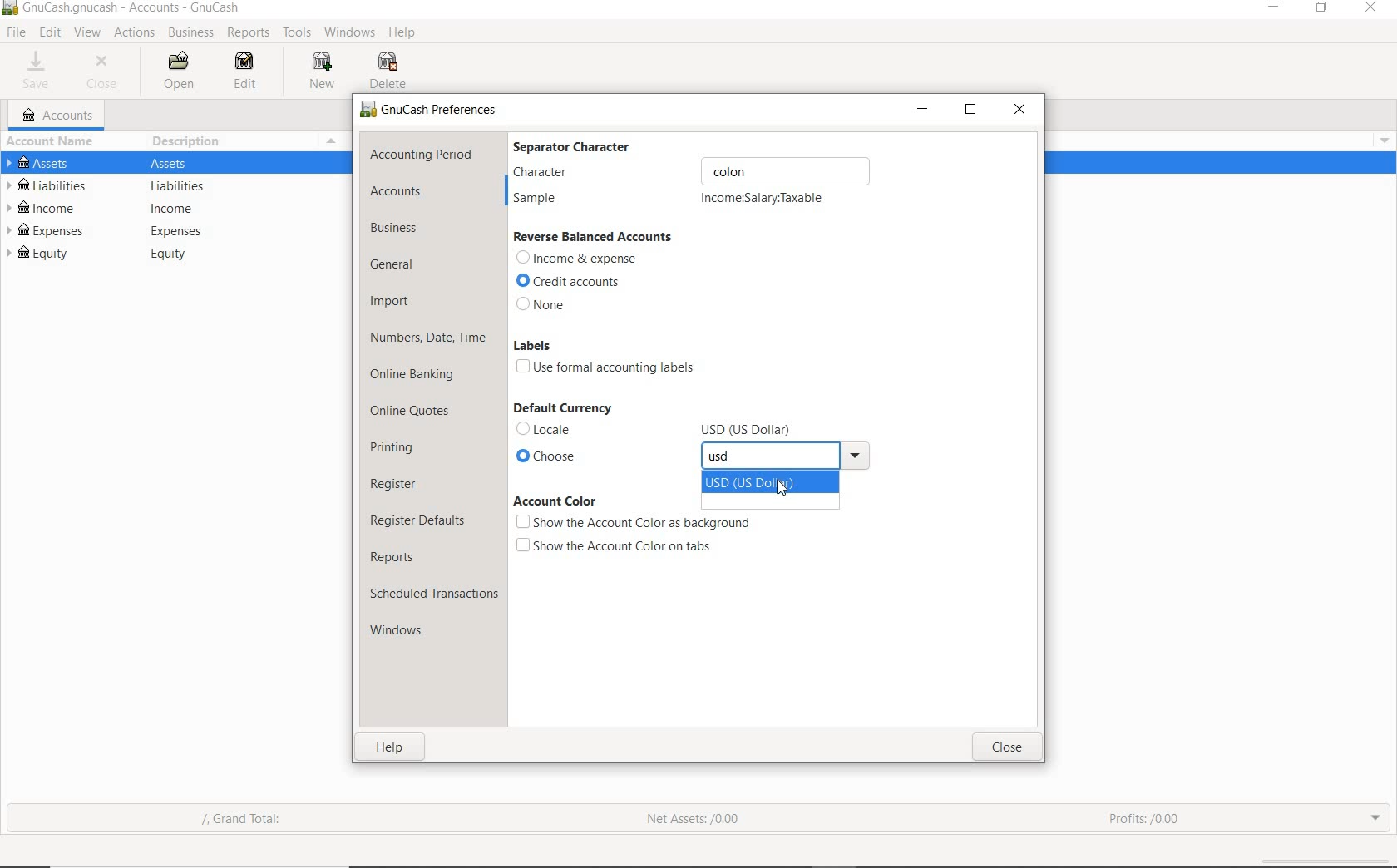  What do you see at coordinates (397, 190) in the screenshot?
I see `accounts` at bounding box center [397, 190].